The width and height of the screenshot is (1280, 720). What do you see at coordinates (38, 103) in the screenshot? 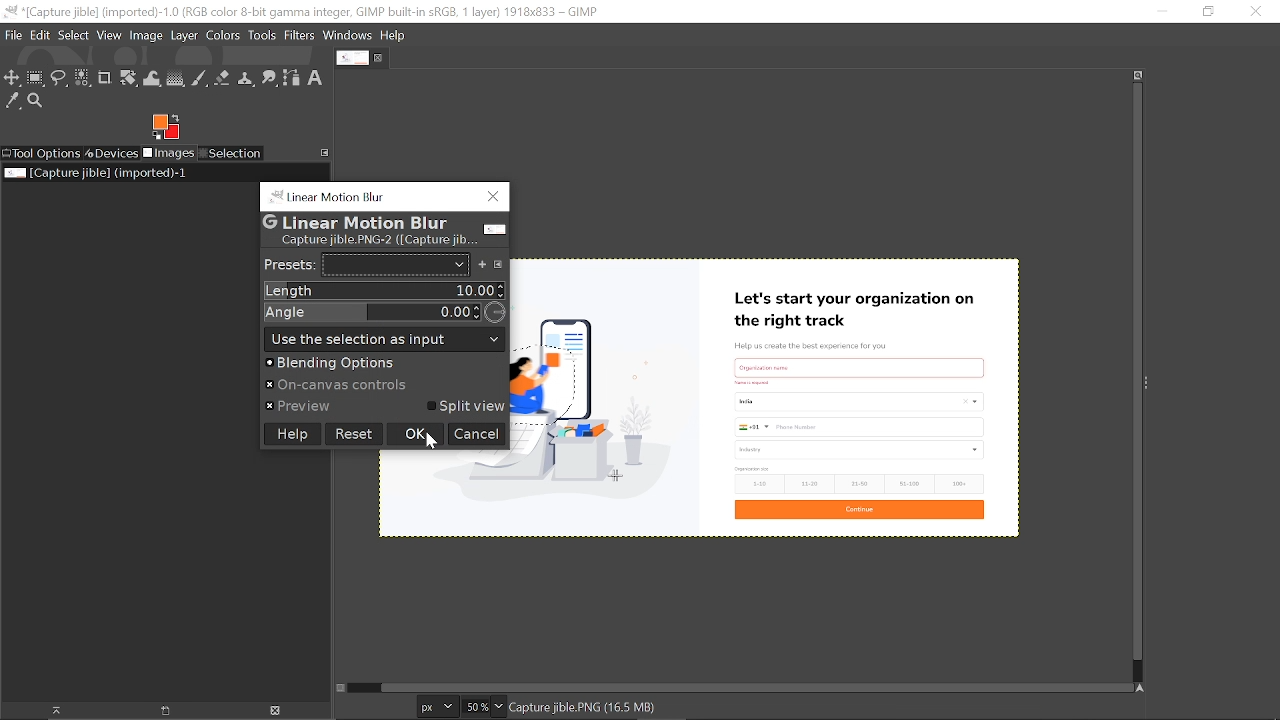
I see `Zoom tool` at bounding box center [38, 103].